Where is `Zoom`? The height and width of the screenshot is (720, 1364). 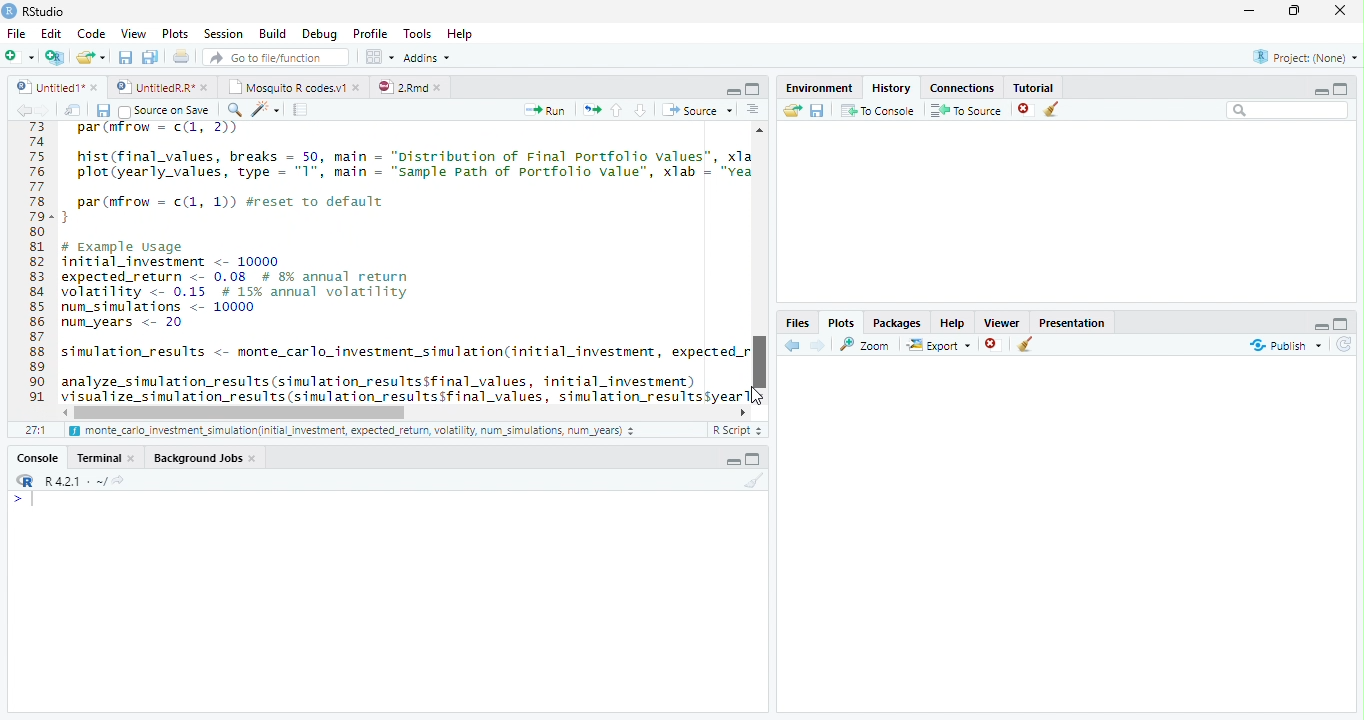 Zoom is located at coordinates (866, 344).